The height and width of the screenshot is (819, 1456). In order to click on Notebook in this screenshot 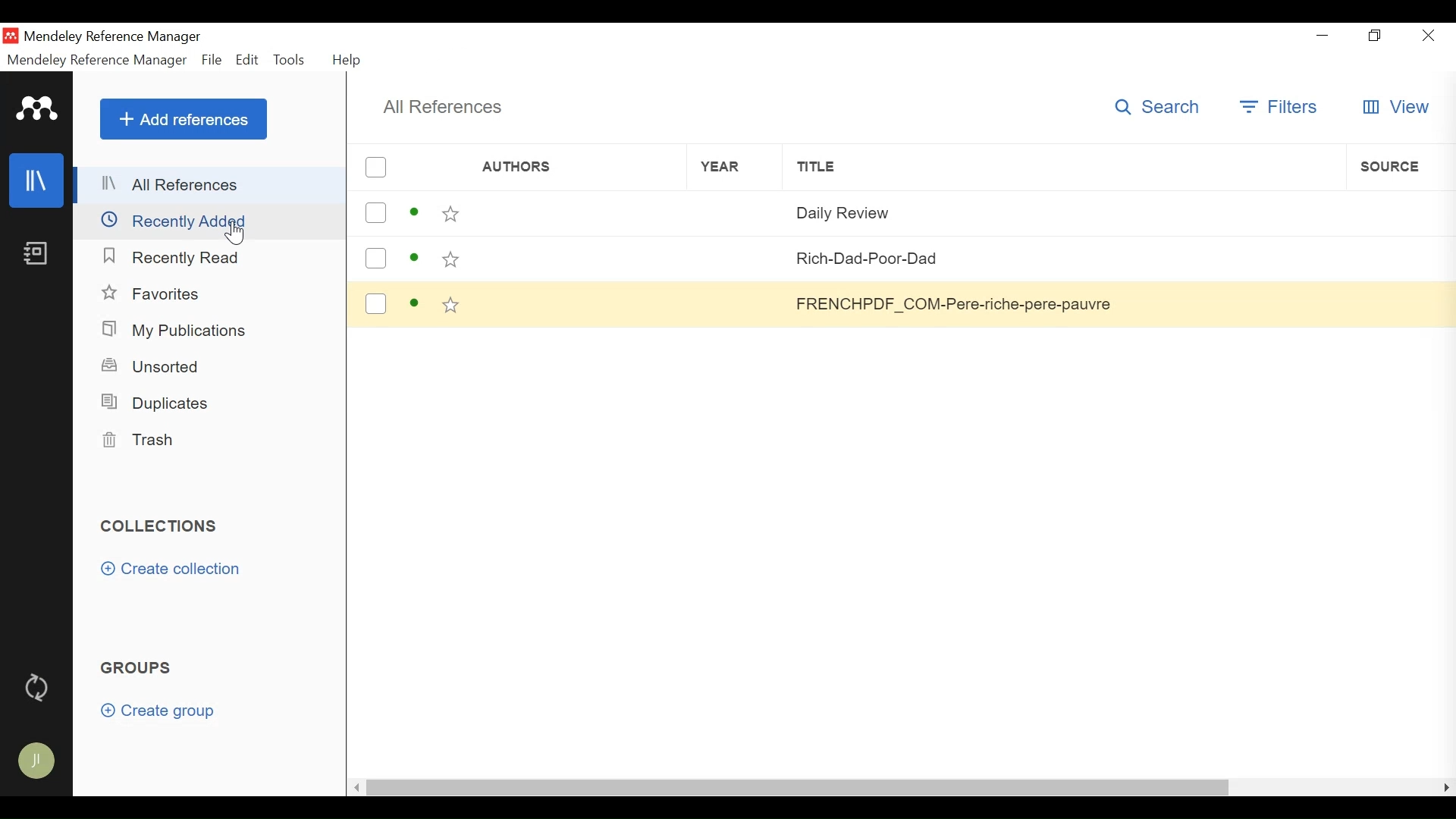, I will do `click(36, 255)`.